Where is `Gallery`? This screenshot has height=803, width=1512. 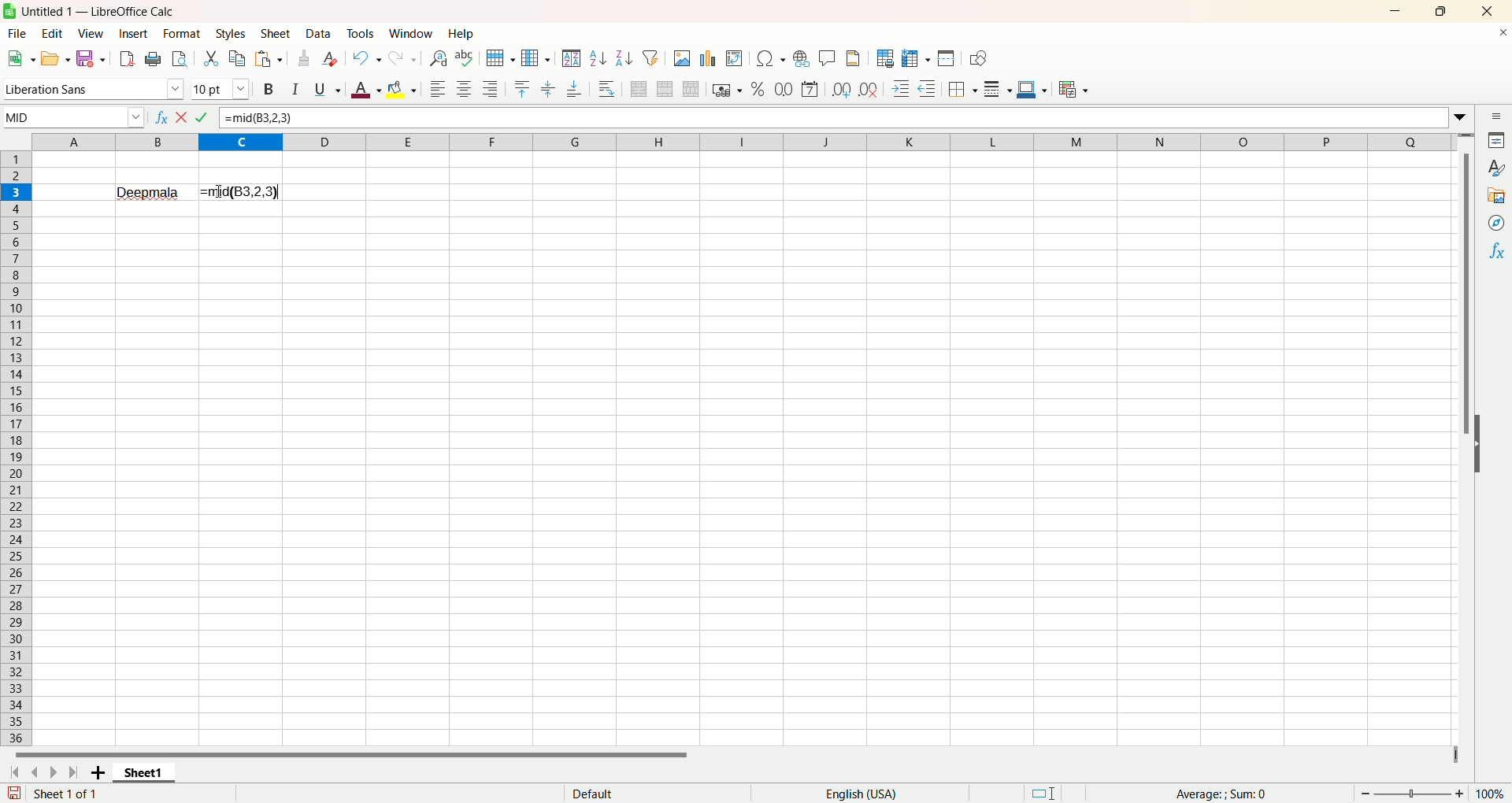 Gallery is located at coordinates (1495, 196).